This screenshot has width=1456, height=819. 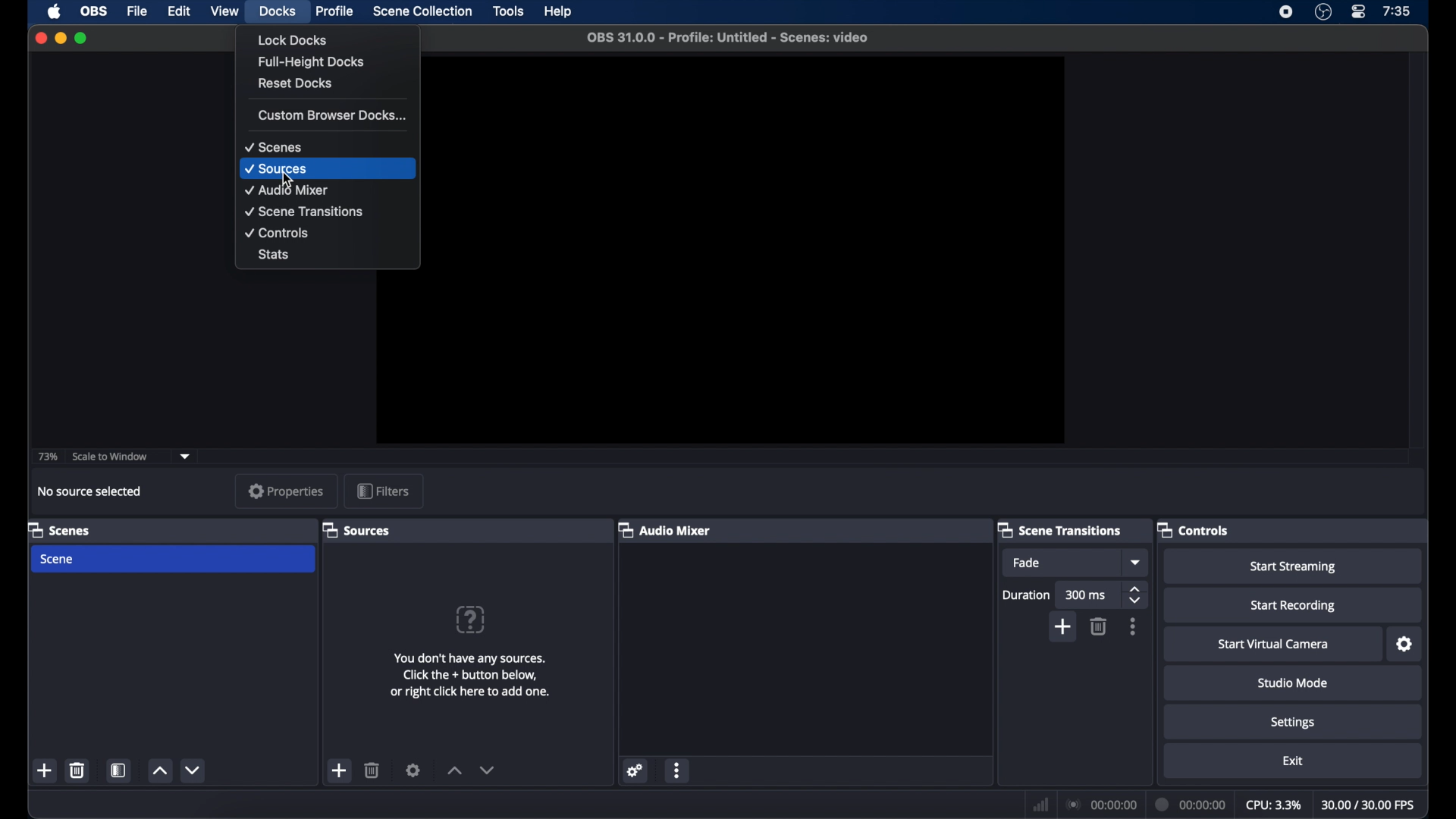 I want to click on network, so click(x=1040, y=805).